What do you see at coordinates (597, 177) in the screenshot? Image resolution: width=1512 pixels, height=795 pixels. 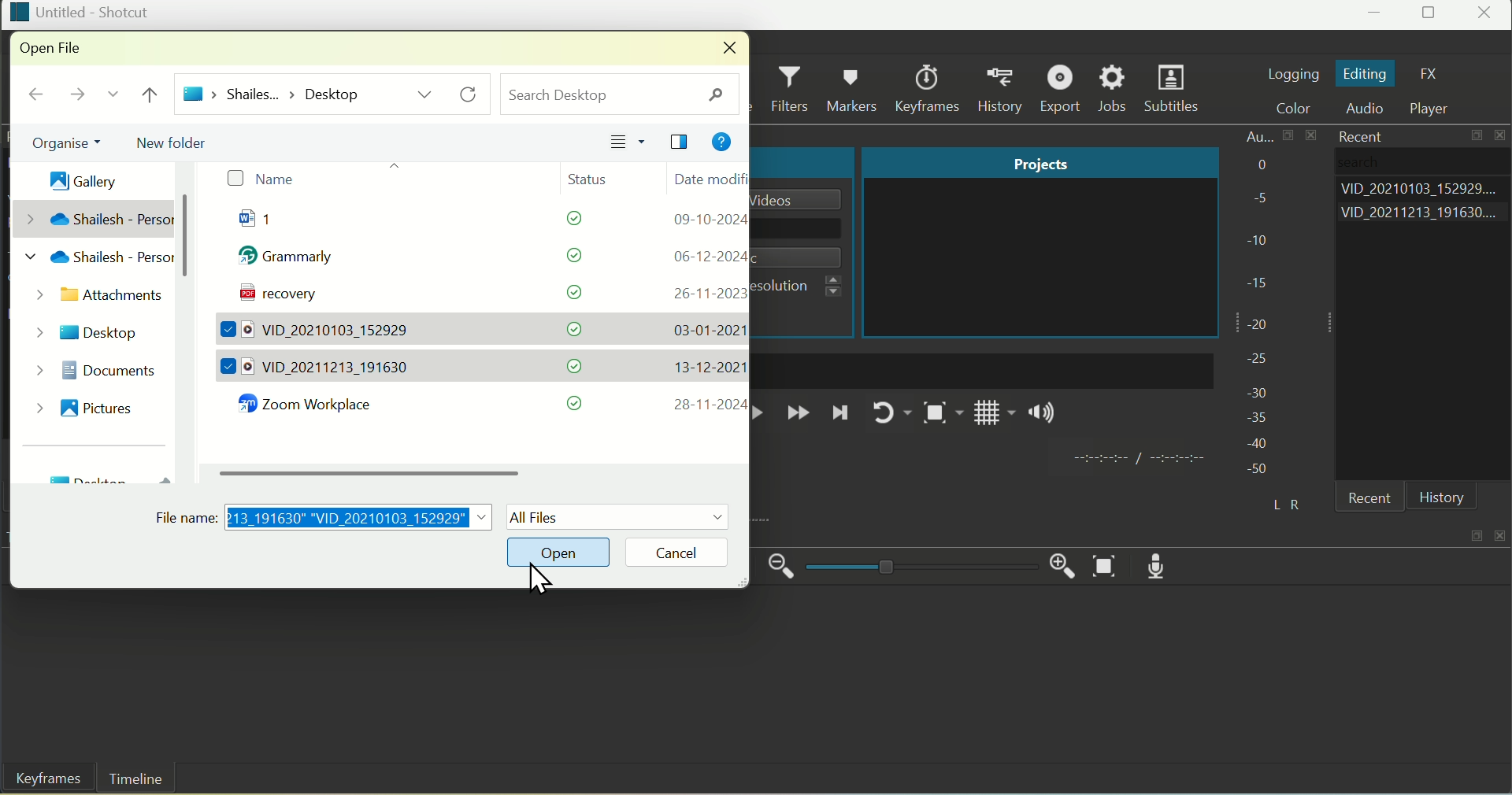 I see `Status` at bounding box center [597, 177].